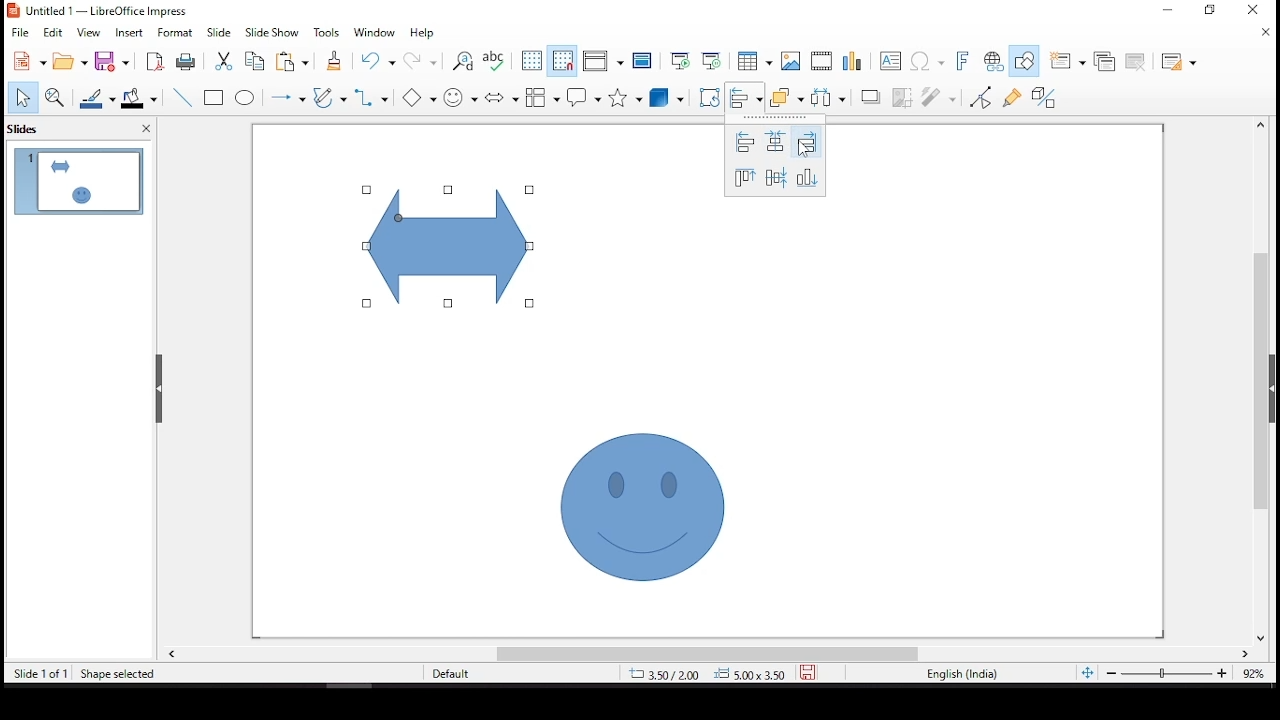 Image resolution: width=1280 pixels, height=720 pixels. What do you see at coordinates (220, 62) in the screenshot?
I see `cut` at bounding box center [220, 62].